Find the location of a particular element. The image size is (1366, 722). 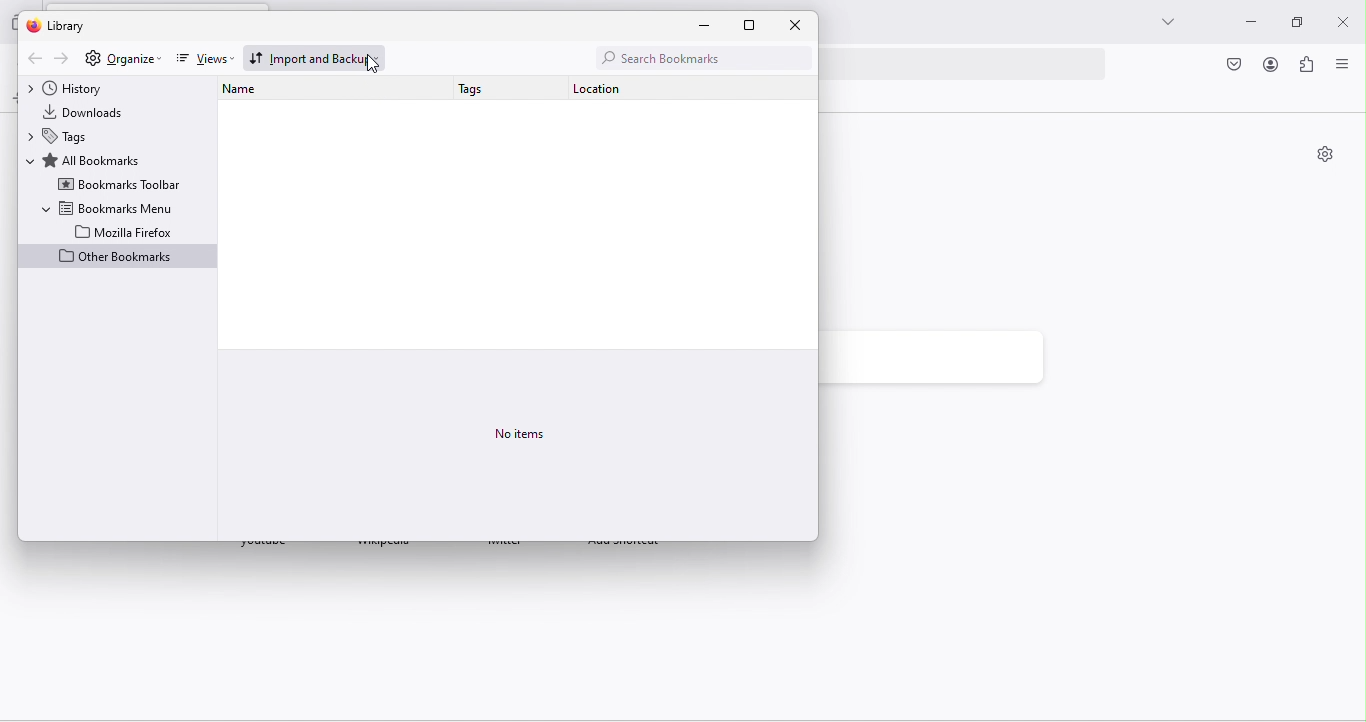

history is located at coordinates (83, 88).